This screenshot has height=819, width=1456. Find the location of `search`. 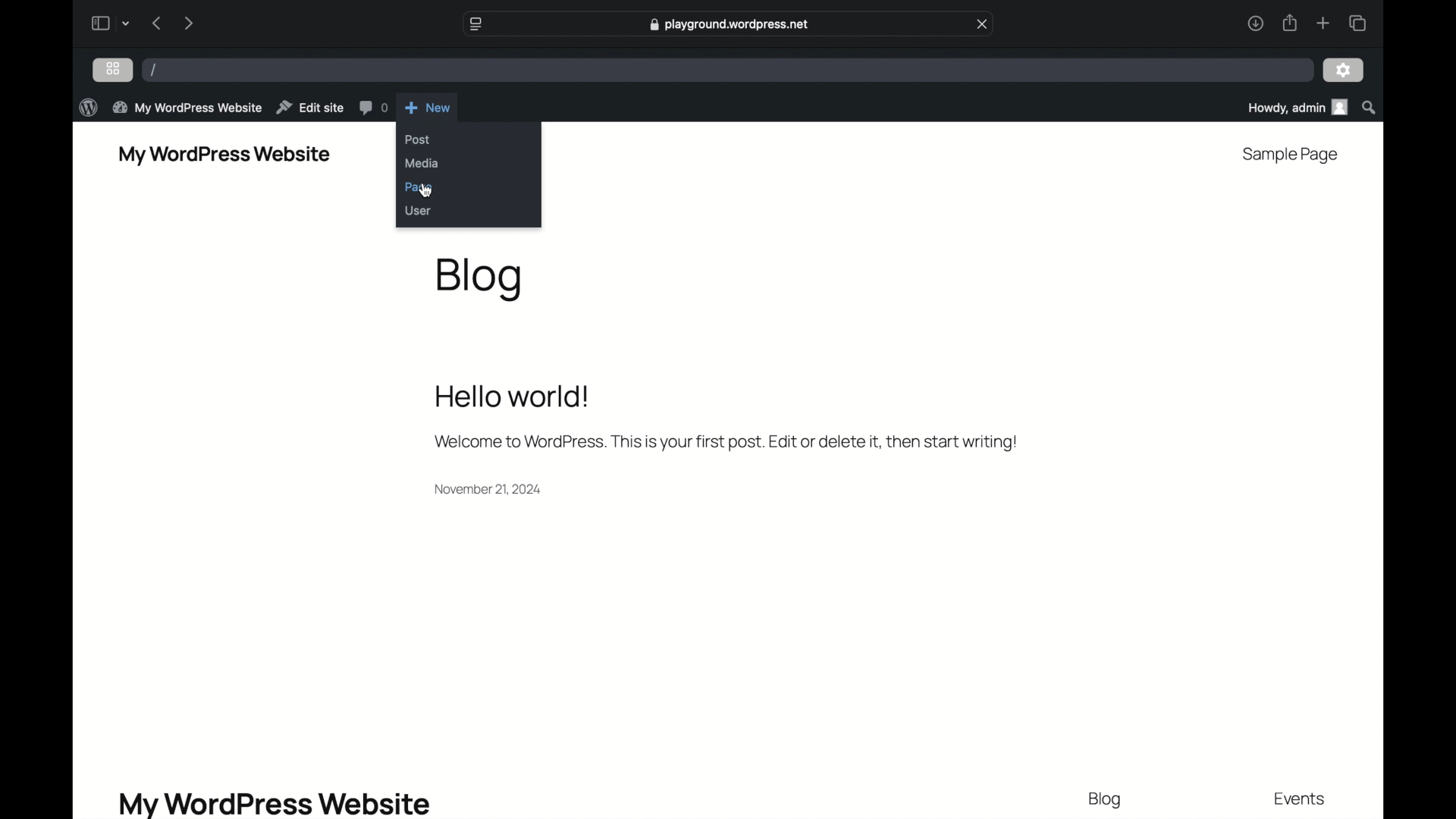

search is located at coordinates (1370, 108).